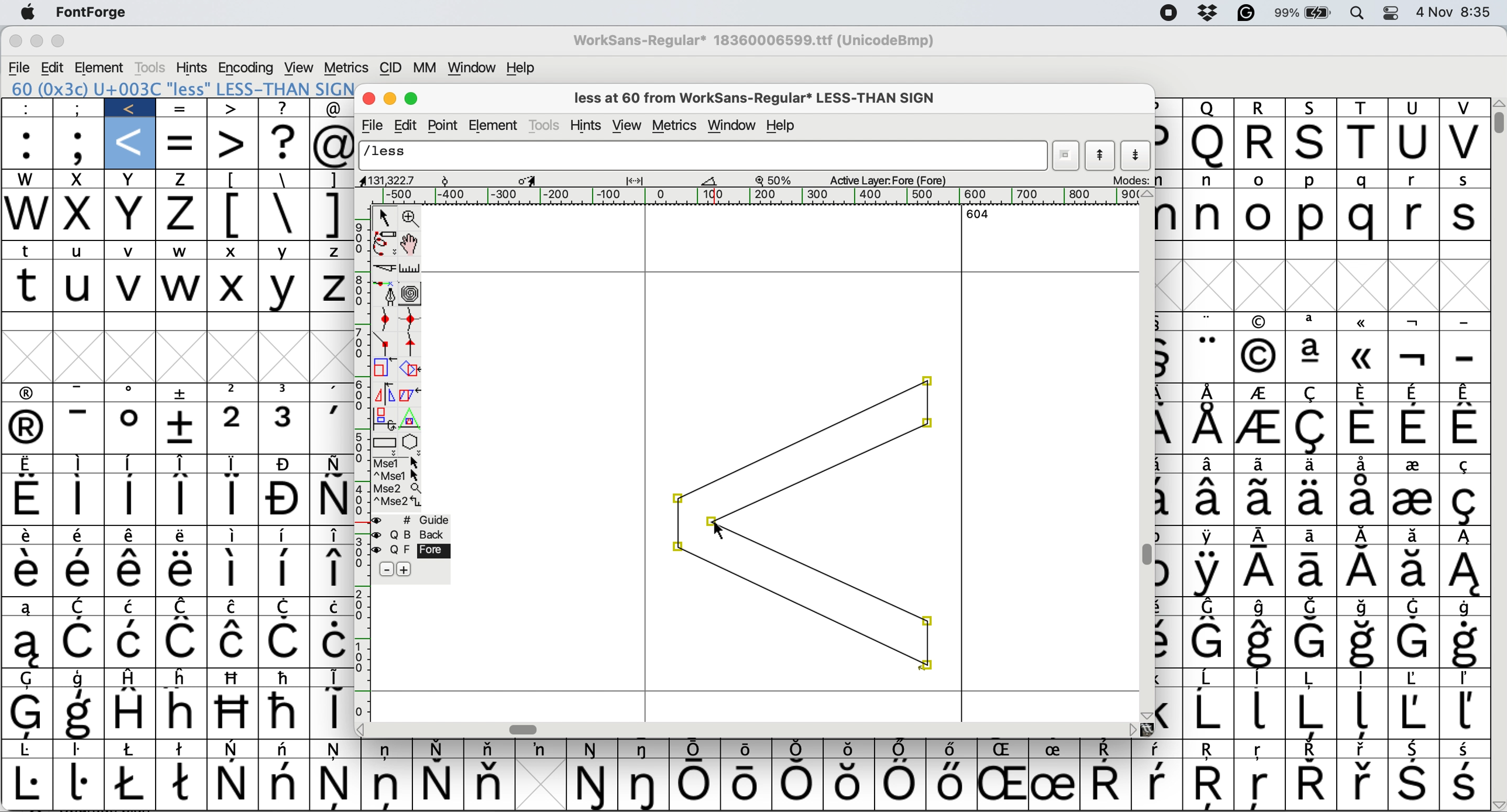 This screenshot has height=812, width=1507. Describe the element at coordinates (369, 100) in the screenshot. I see `close` at that location.